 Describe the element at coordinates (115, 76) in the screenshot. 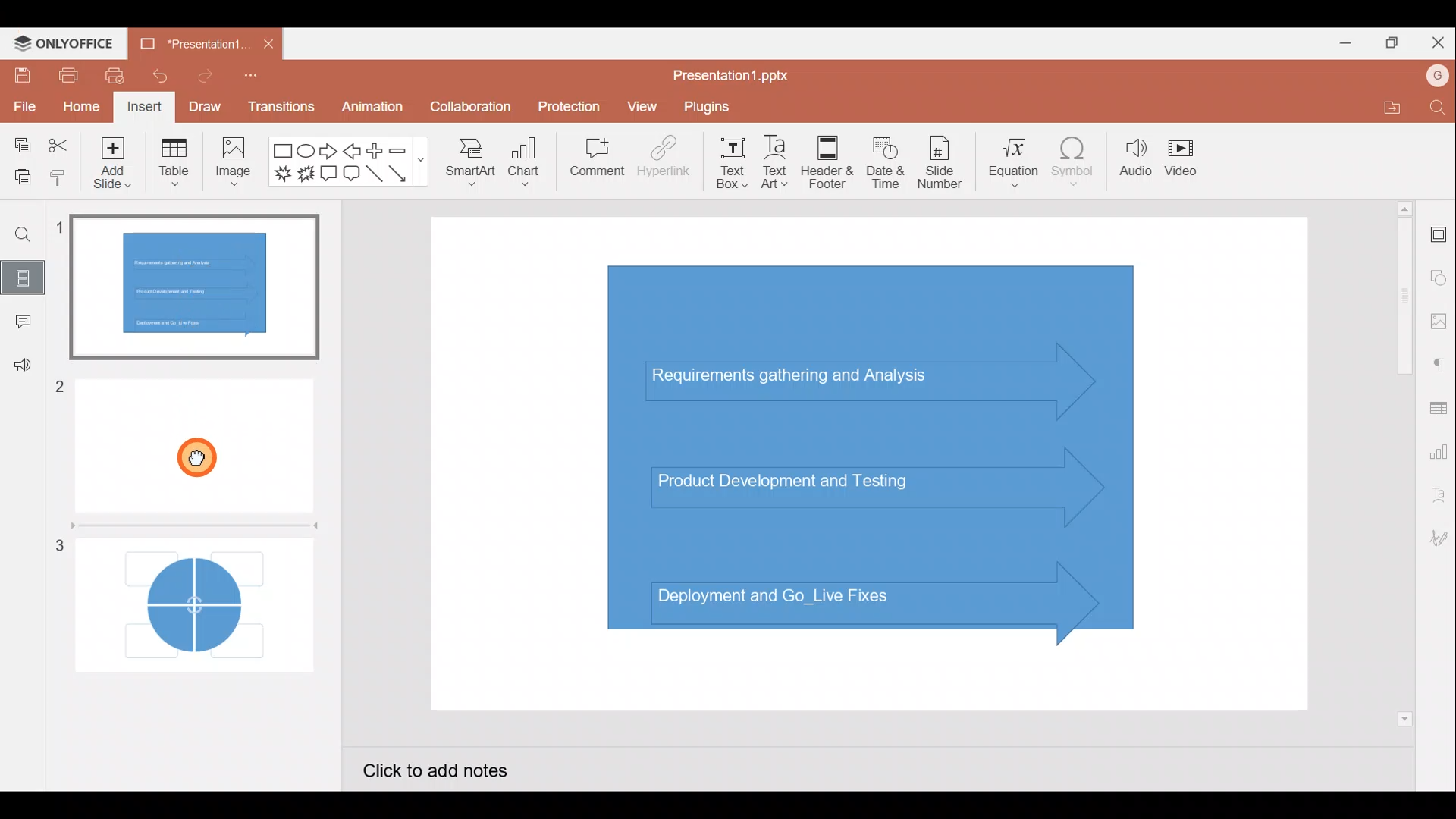

I see `Quick print` at that location.